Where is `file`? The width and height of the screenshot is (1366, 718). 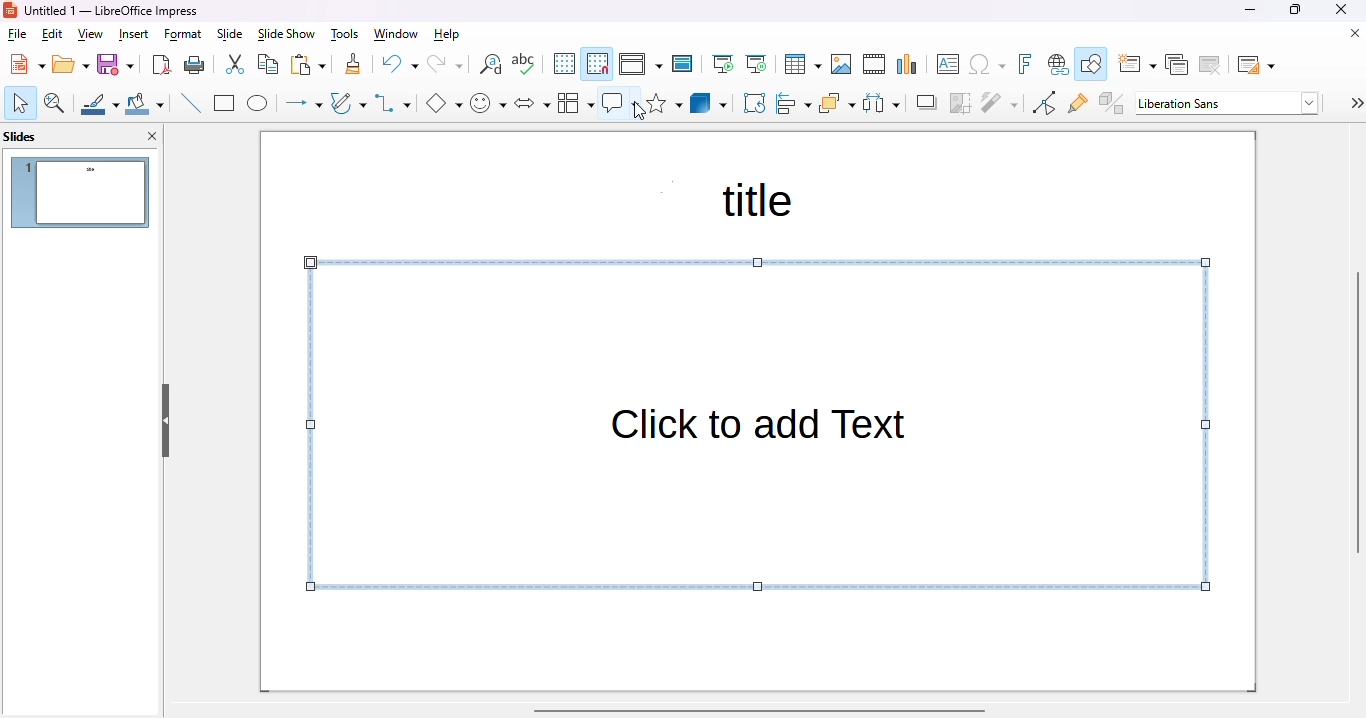 file is located at coordinates (17, 34).